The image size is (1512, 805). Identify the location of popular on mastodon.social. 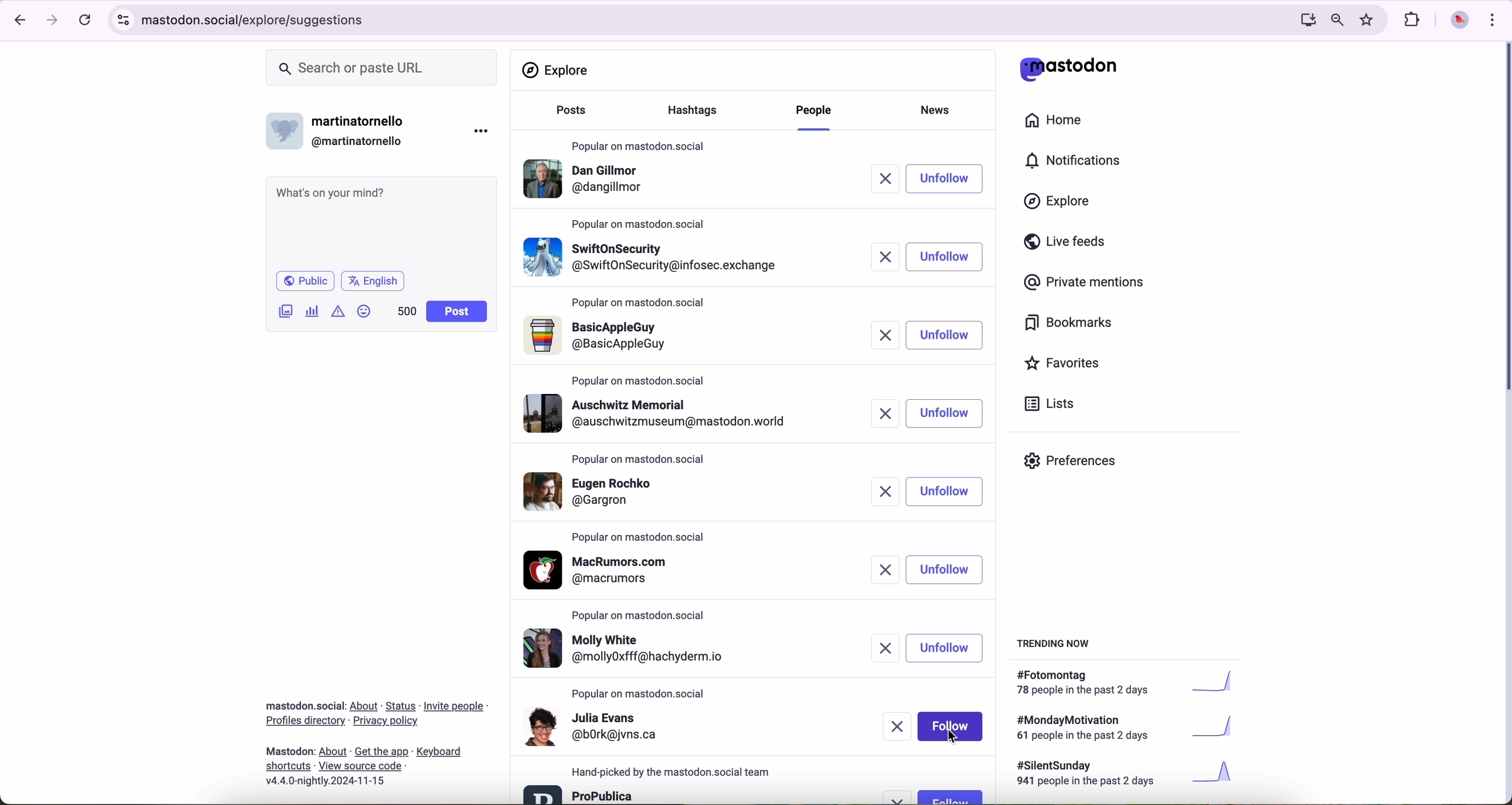
(644, 613).